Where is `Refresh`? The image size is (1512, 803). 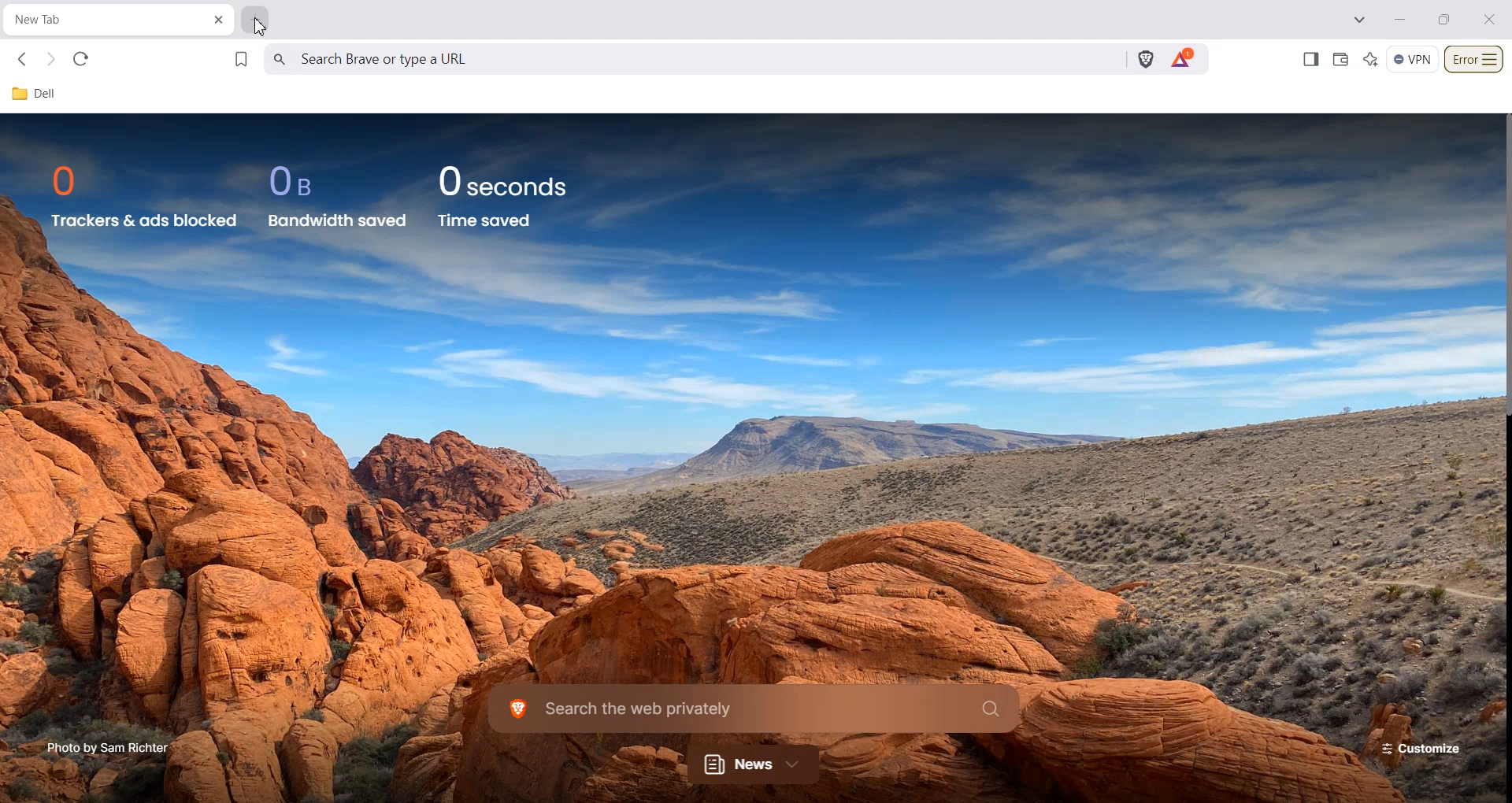
Refresh is located at coordinates (80, 59).